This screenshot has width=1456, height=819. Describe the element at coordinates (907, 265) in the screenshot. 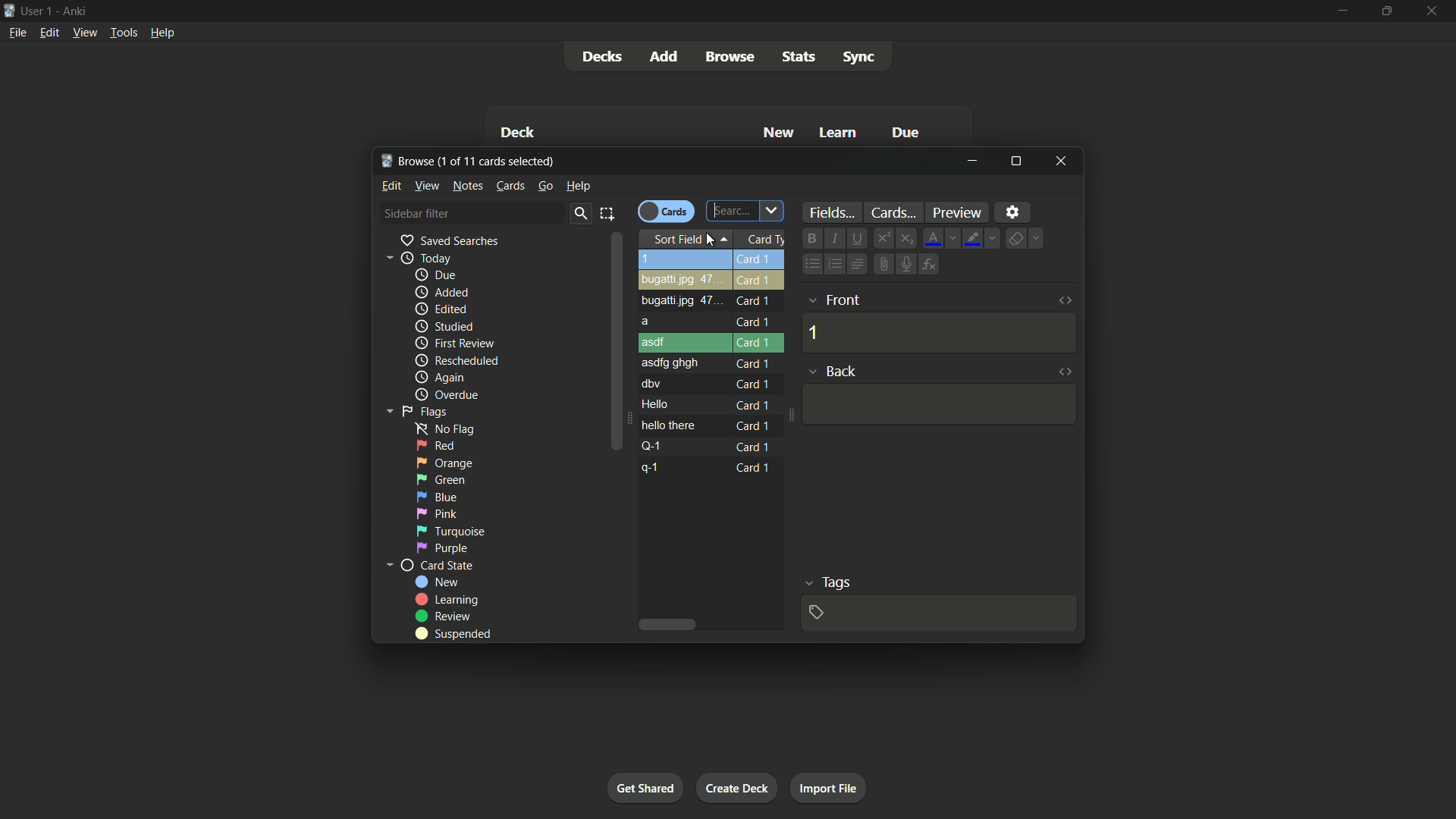

I see `record audio` at that location.